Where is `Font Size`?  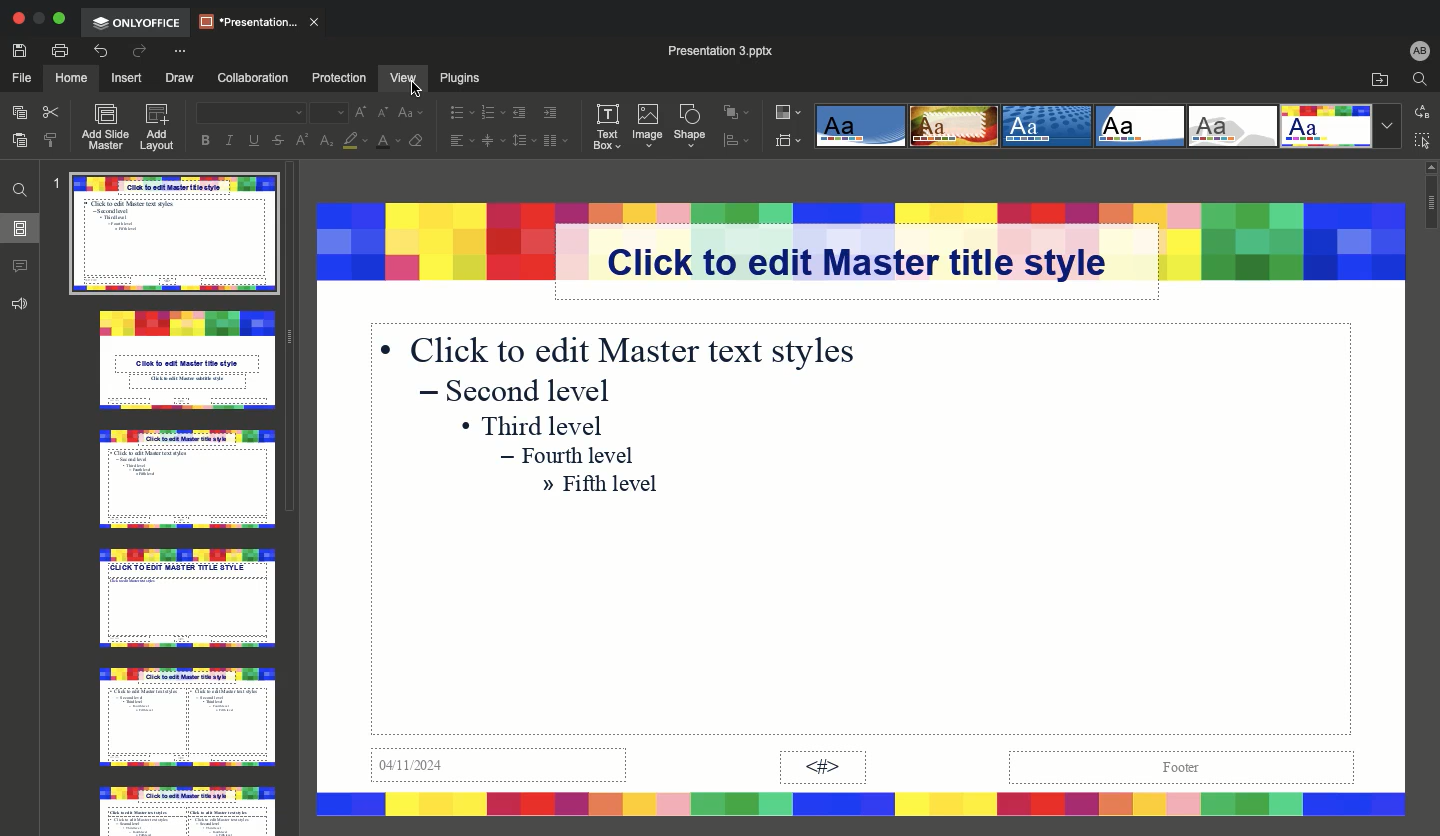
Font Size is located at coordinates (327, 114).